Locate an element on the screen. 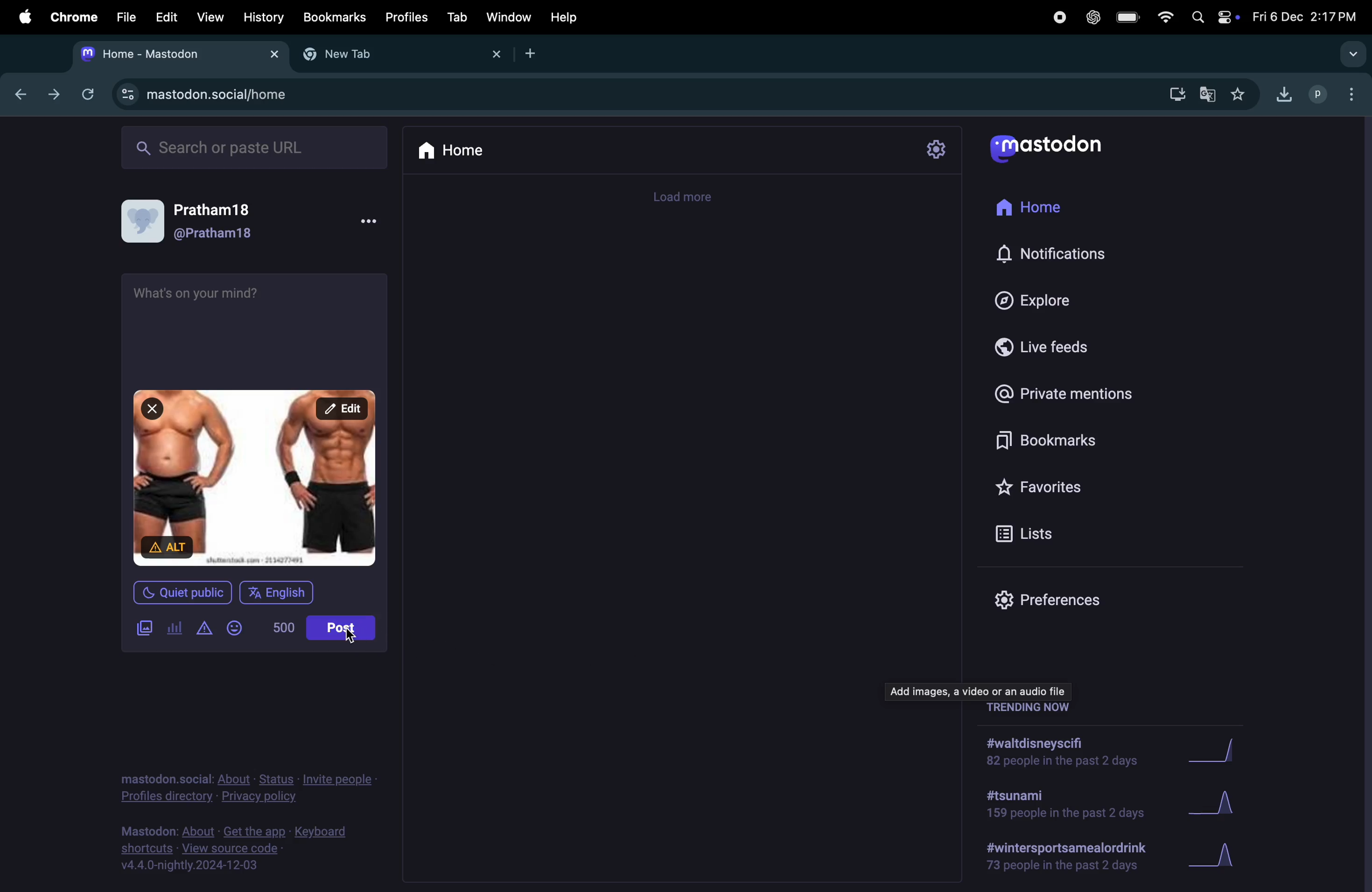 The image size is (1372, 892). privacy policy is located at coordinates (248, 785).